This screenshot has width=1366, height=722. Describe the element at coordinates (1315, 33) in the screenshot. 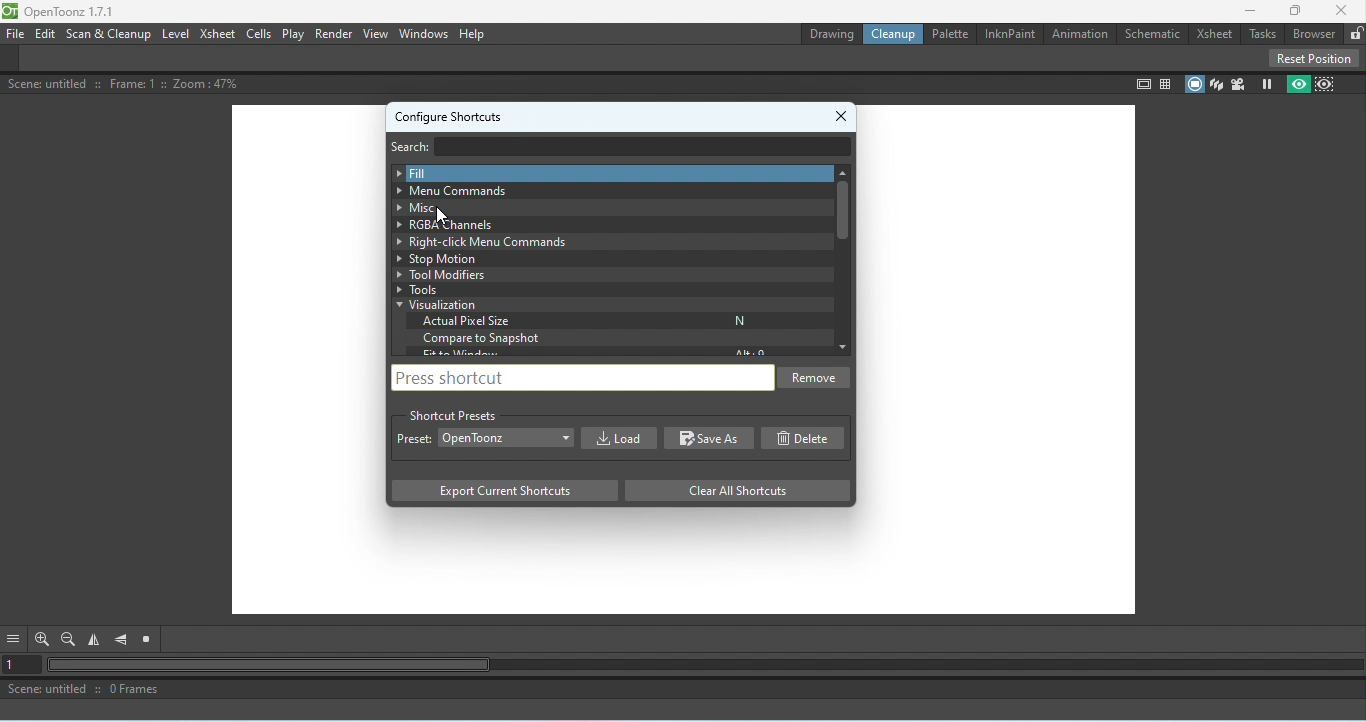

I see `Broswer` at that location.